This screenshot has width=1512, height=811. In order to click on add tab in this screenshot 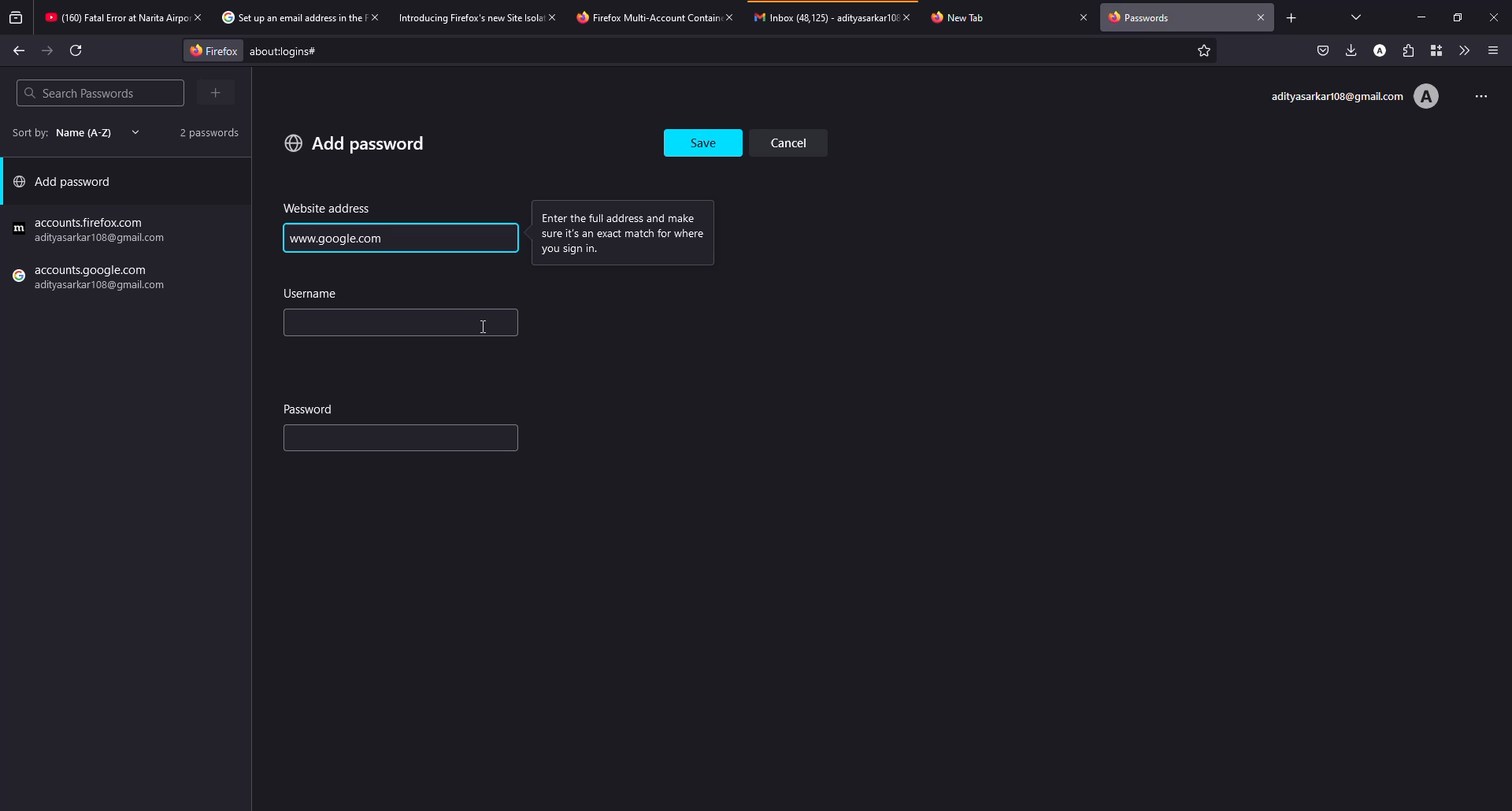, I will do `click(1291, 17)`.